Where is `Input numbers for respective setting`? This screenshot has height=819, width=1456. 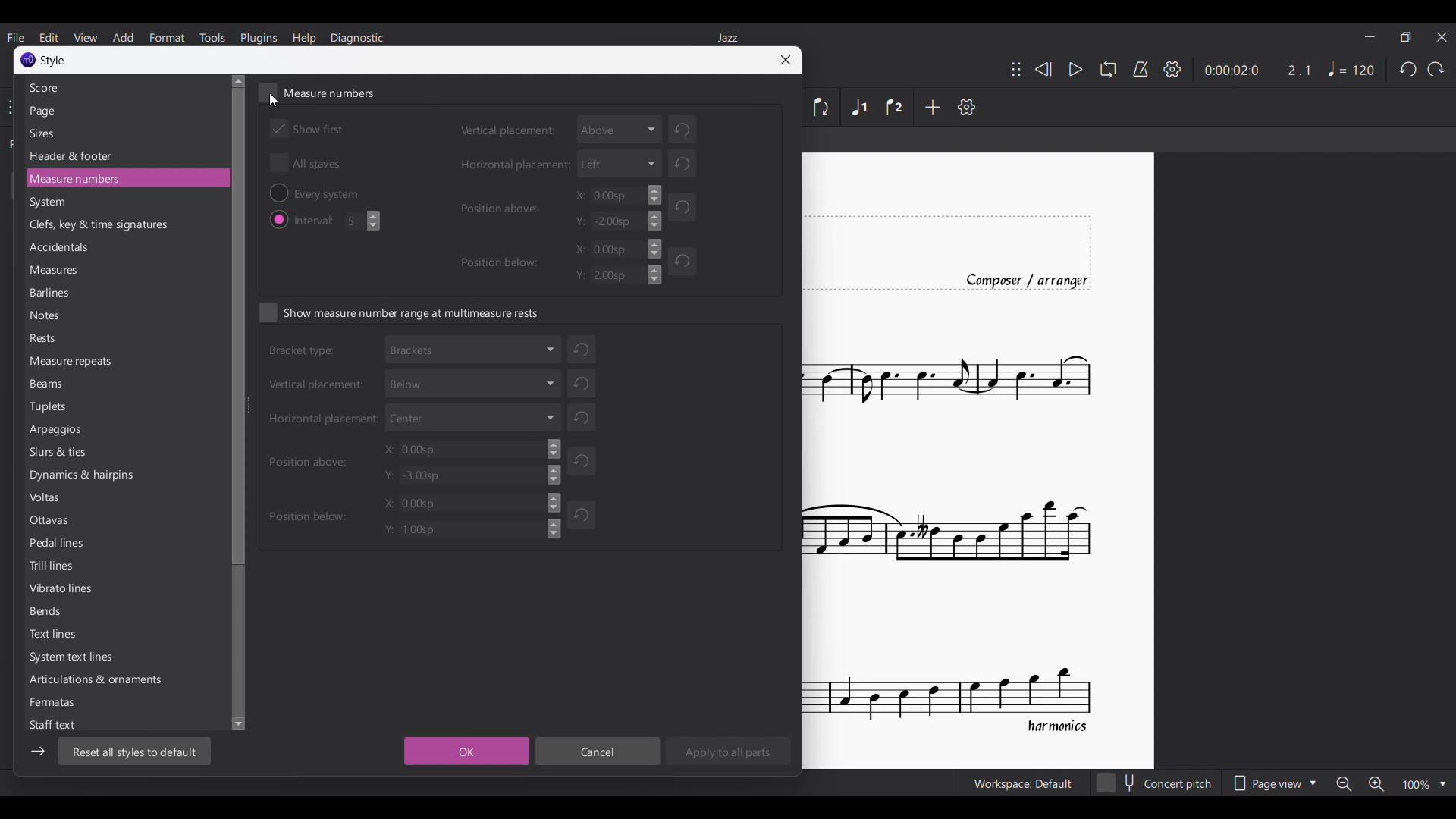
Input numbers for respective setting is located at coordinates (613, 195).